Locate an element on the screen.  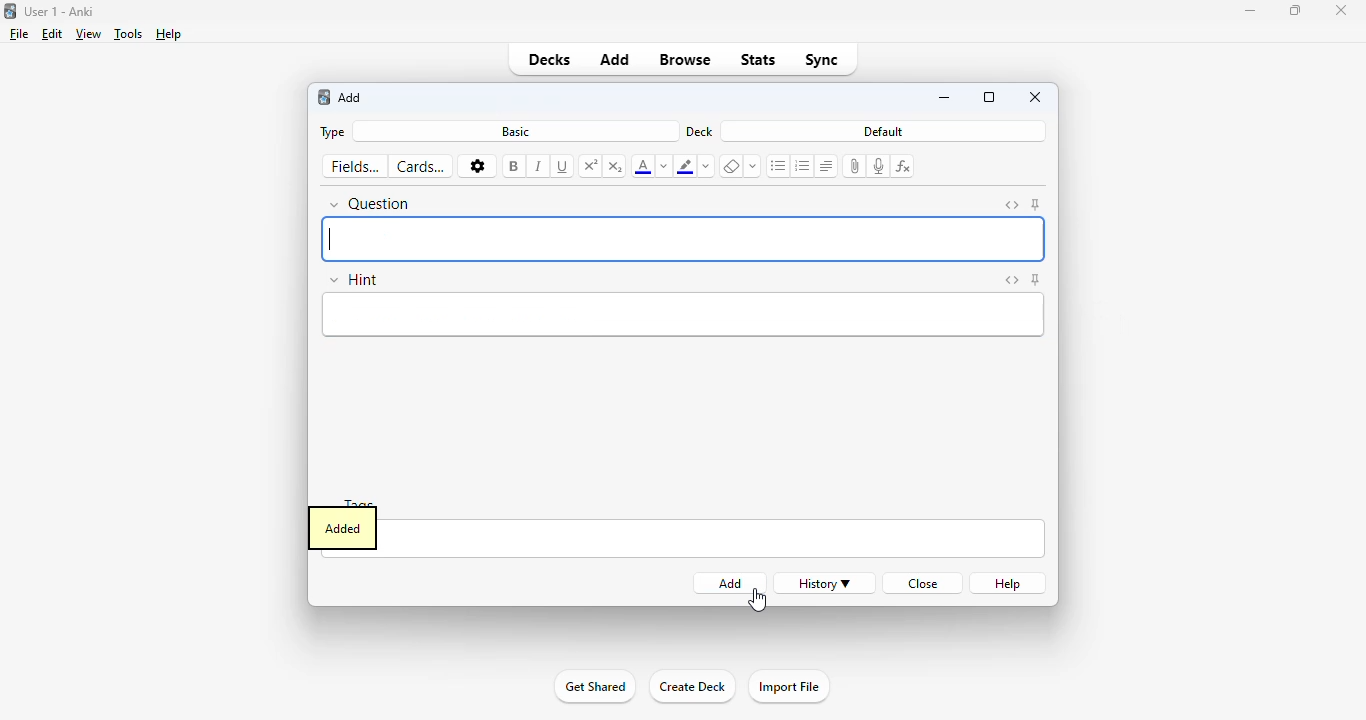
options is located at coordinates (477, 166).